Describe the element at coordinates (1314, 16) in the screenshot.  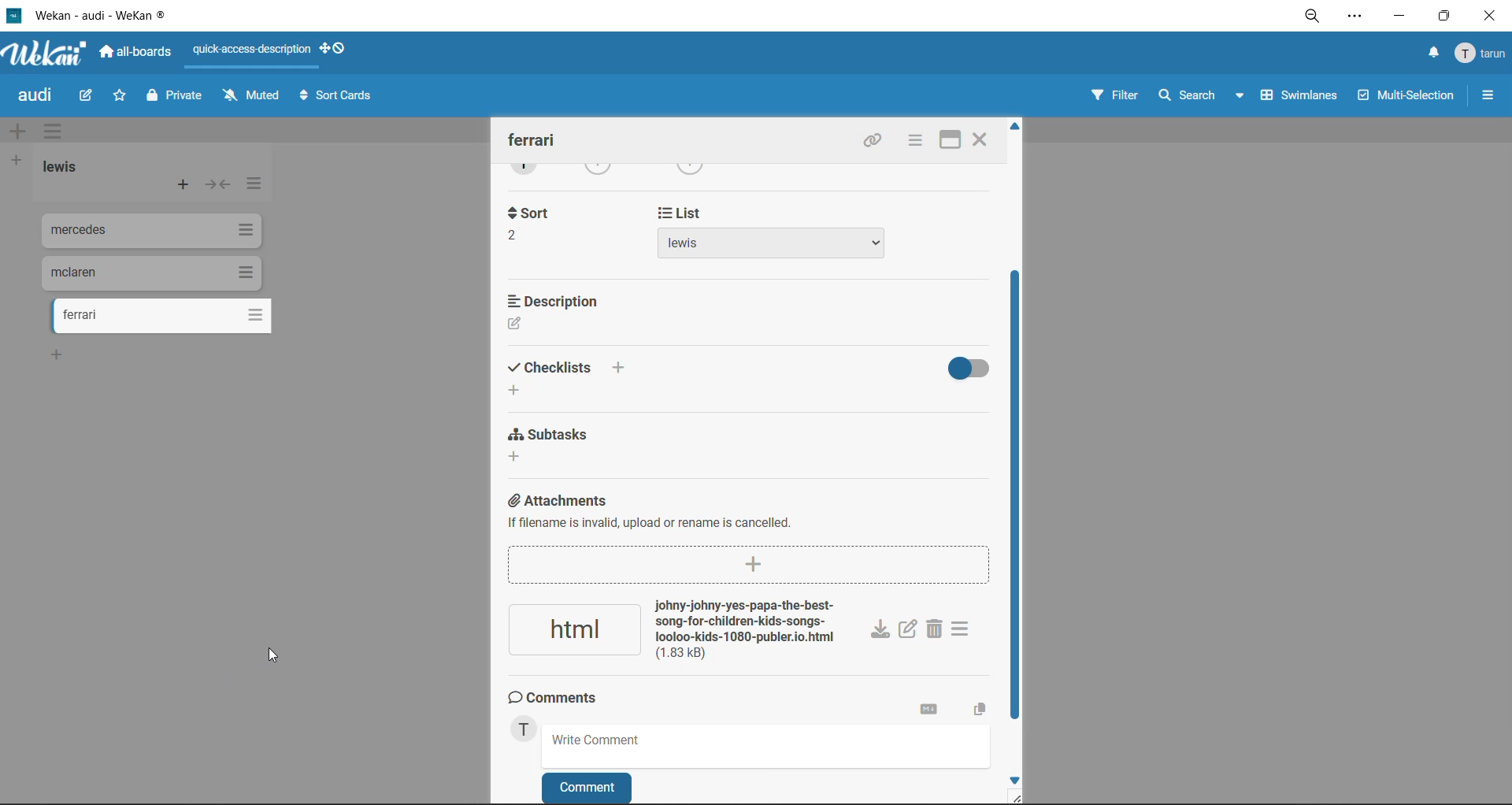
I see `zoom` at that location.